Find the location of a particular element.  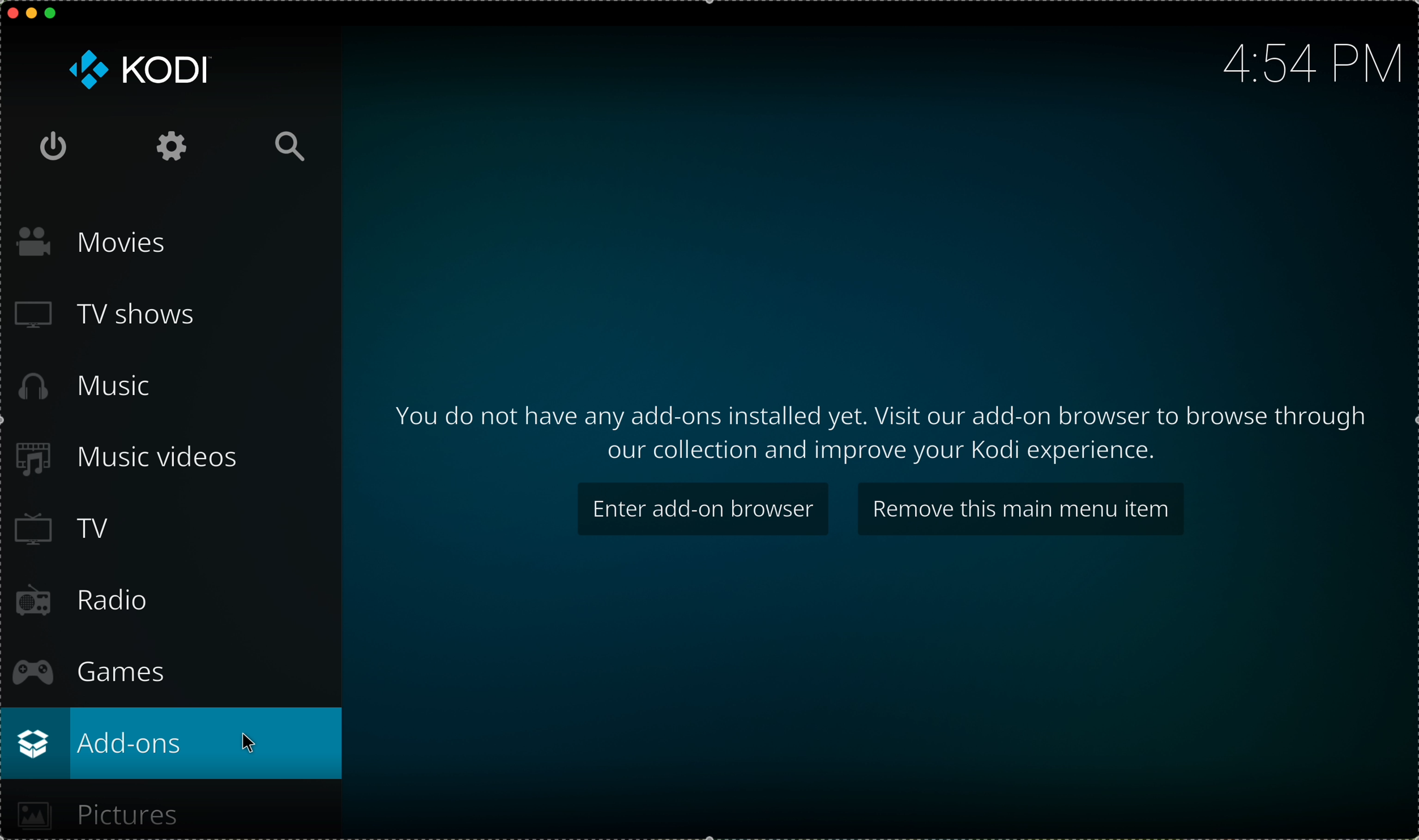

shut down is located at coordinates (54, 146).